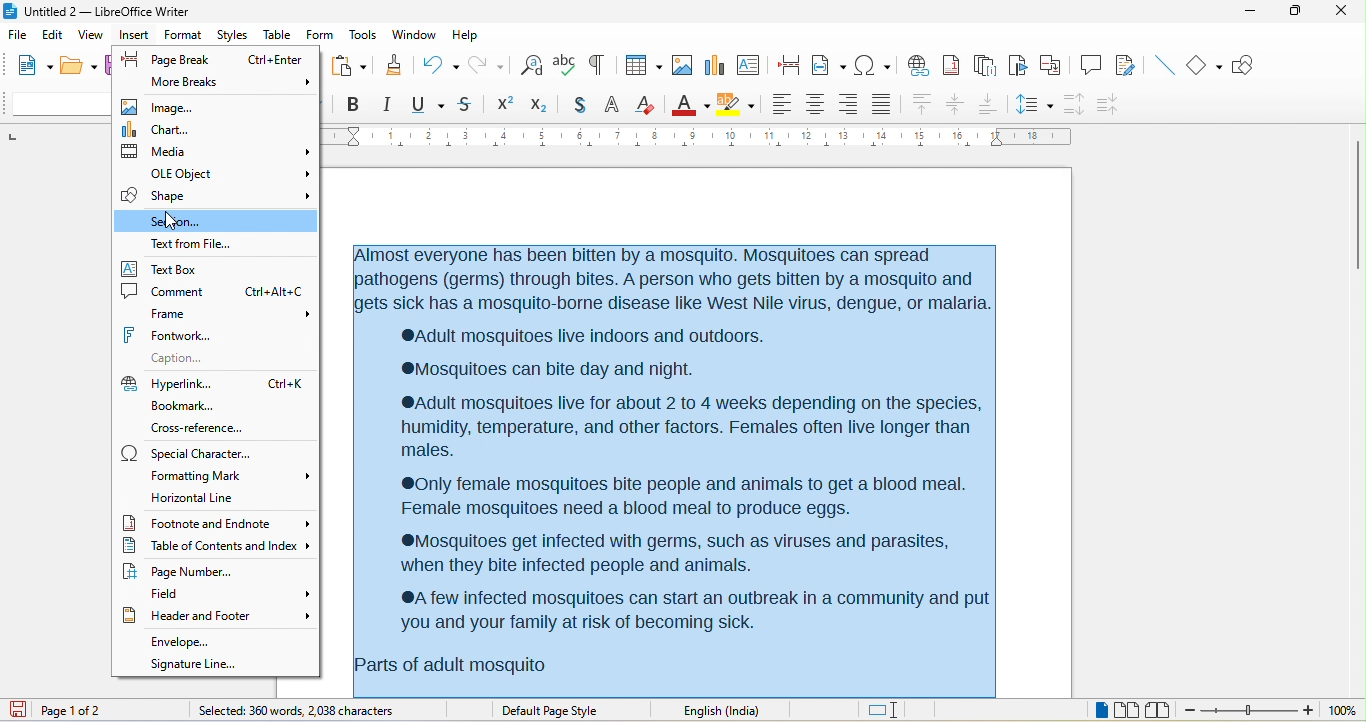  What do you see at coordinates (26, 65) in the screenshot?
I see `new` at bounding box center [26, 65].